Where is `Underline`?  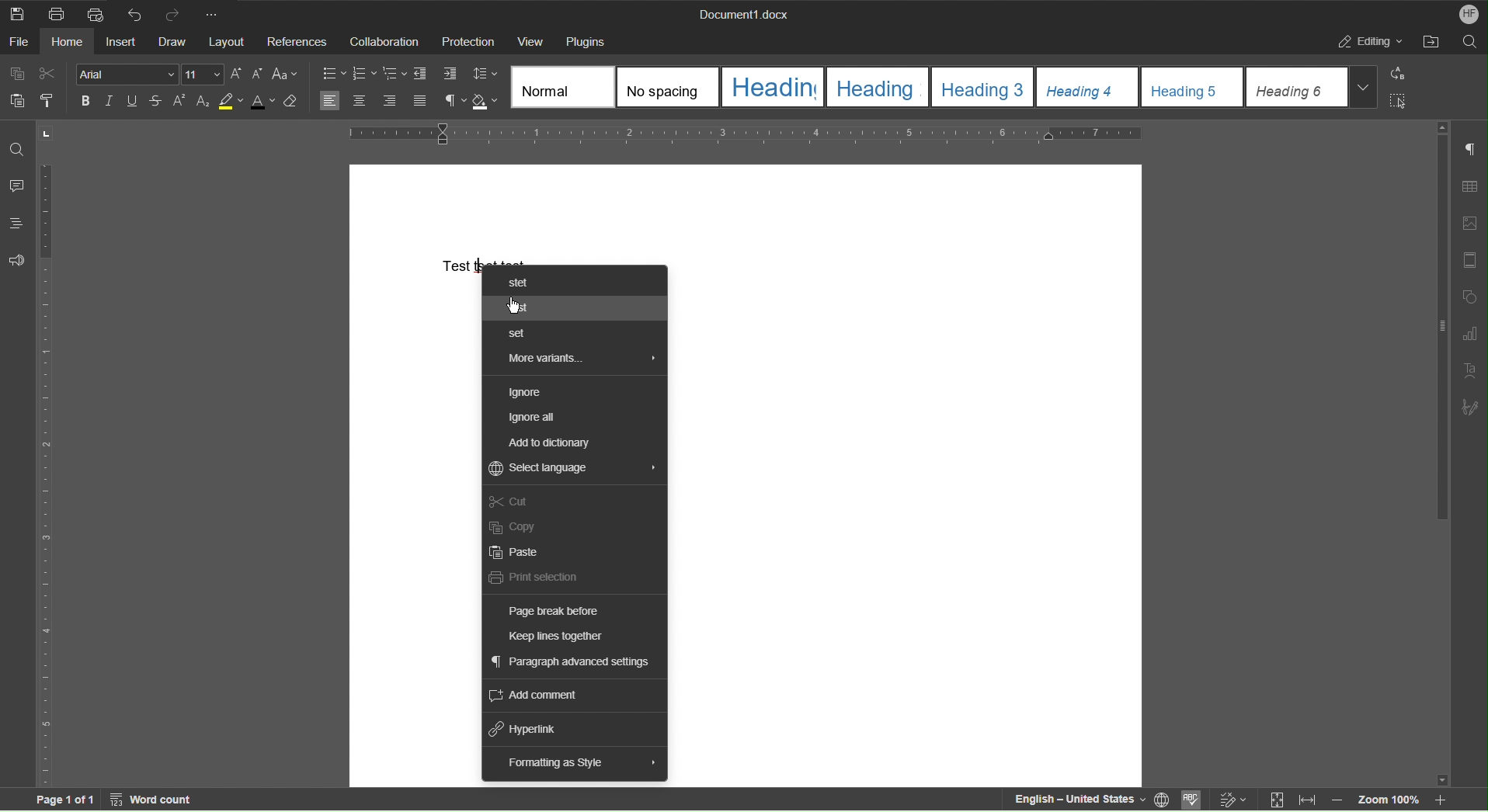 Underline is located at coordinates (135, 102).